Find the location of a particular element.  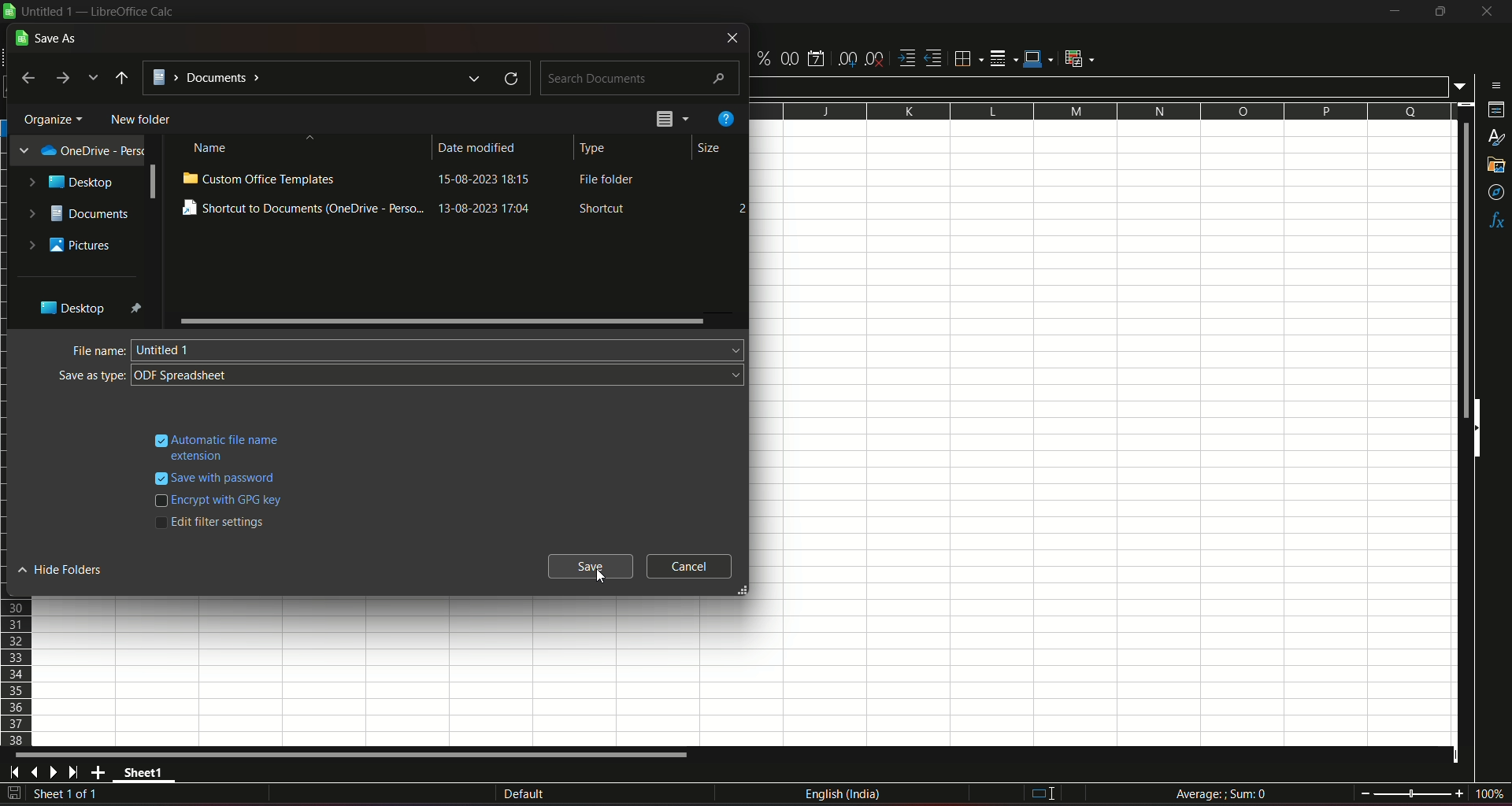

desktop is located at coordinates (69, 309).